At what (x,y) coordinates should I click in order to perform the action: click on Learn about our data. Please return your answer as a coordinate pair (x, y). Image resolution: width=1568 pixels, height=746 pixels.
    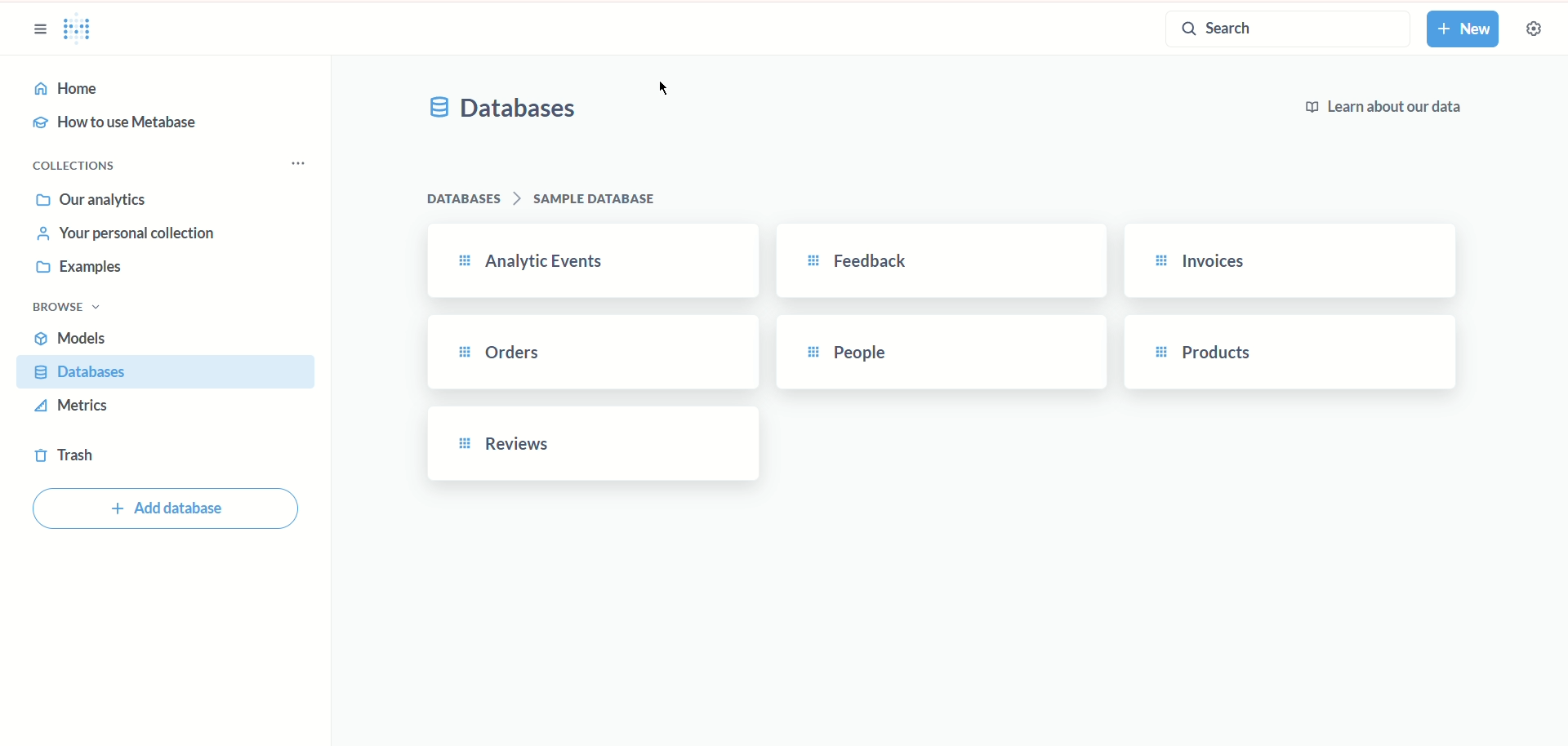
    Looking at the image, I should click on (1387, 109).